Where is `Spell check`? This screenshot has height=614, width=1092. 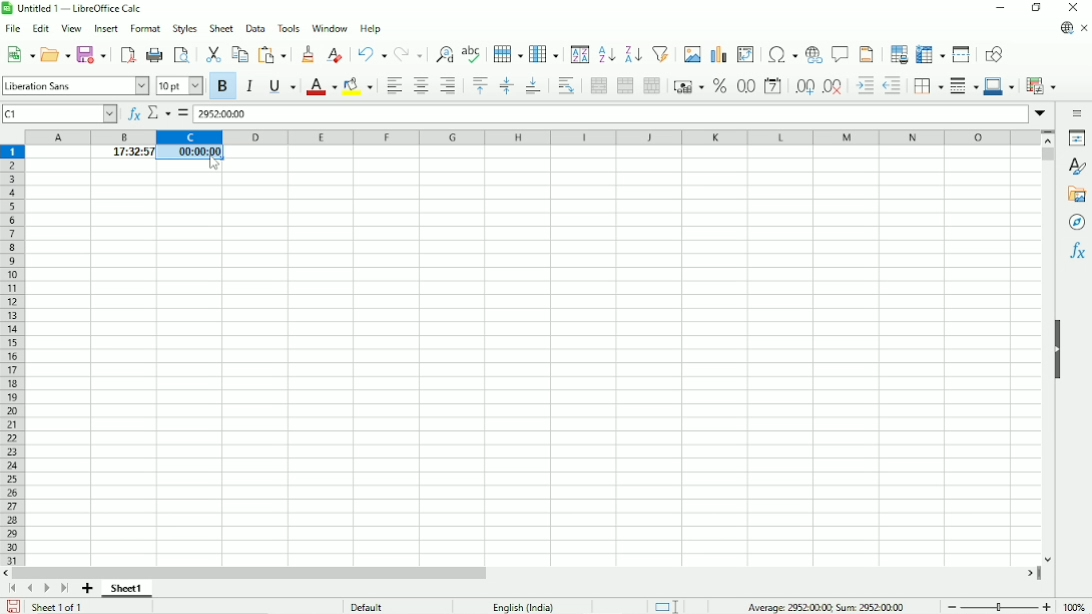 Spell check is located at coordinates (472, 53).